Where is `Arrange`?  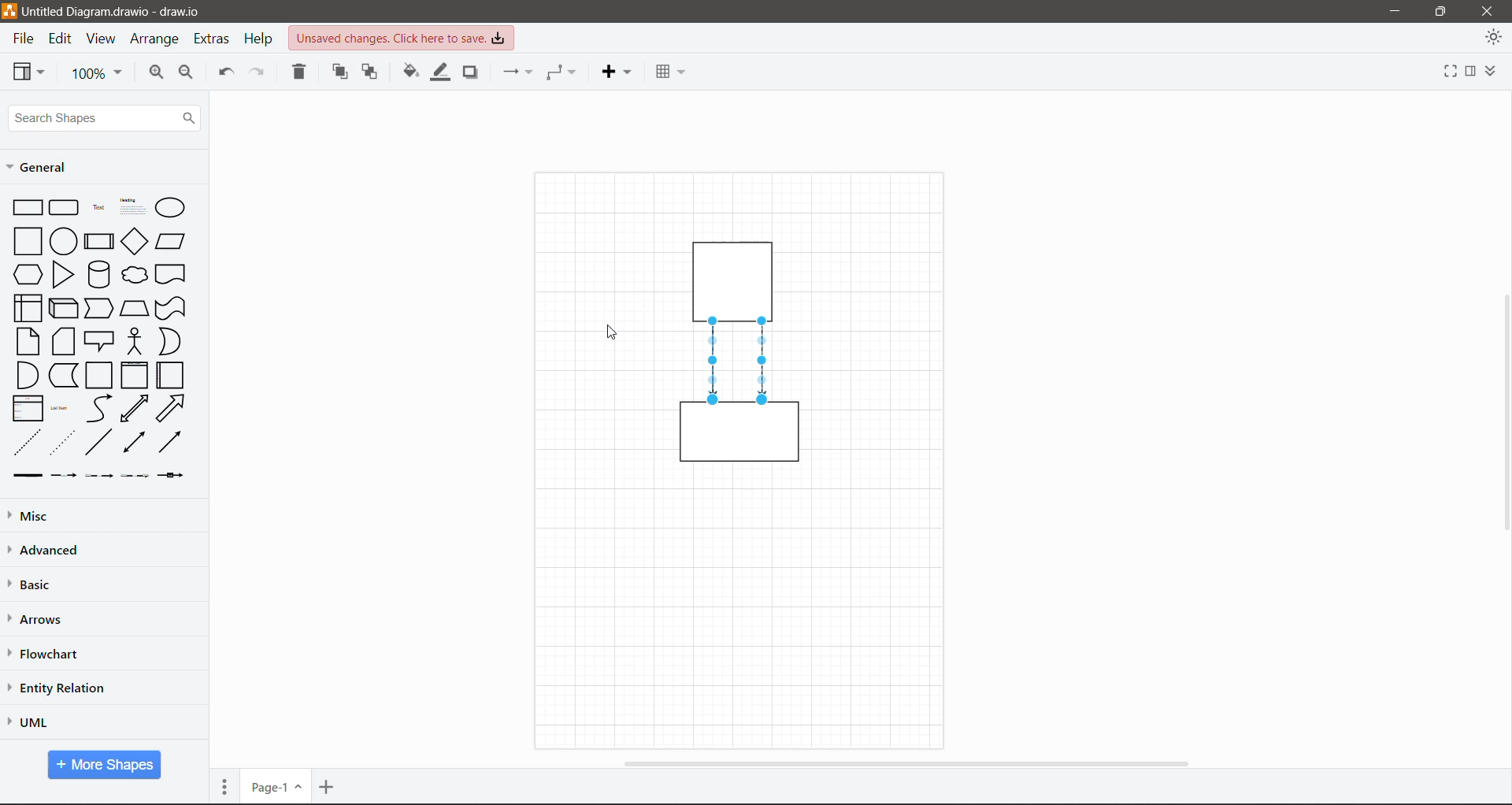 Arrange is located at coordinates (156, 41).